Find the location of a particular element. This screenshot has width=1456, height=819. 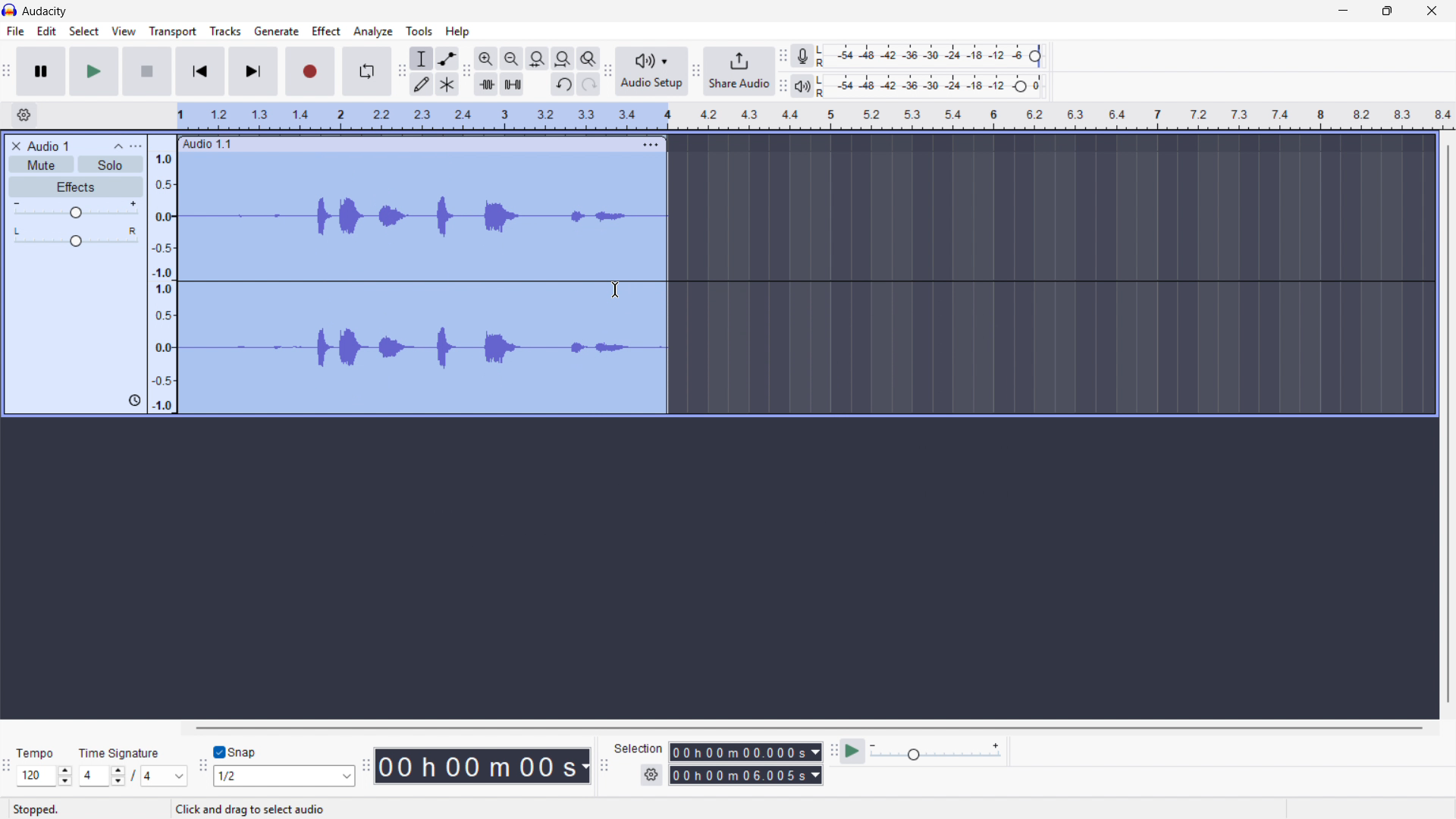

selection is located at coordinates (639, 748).